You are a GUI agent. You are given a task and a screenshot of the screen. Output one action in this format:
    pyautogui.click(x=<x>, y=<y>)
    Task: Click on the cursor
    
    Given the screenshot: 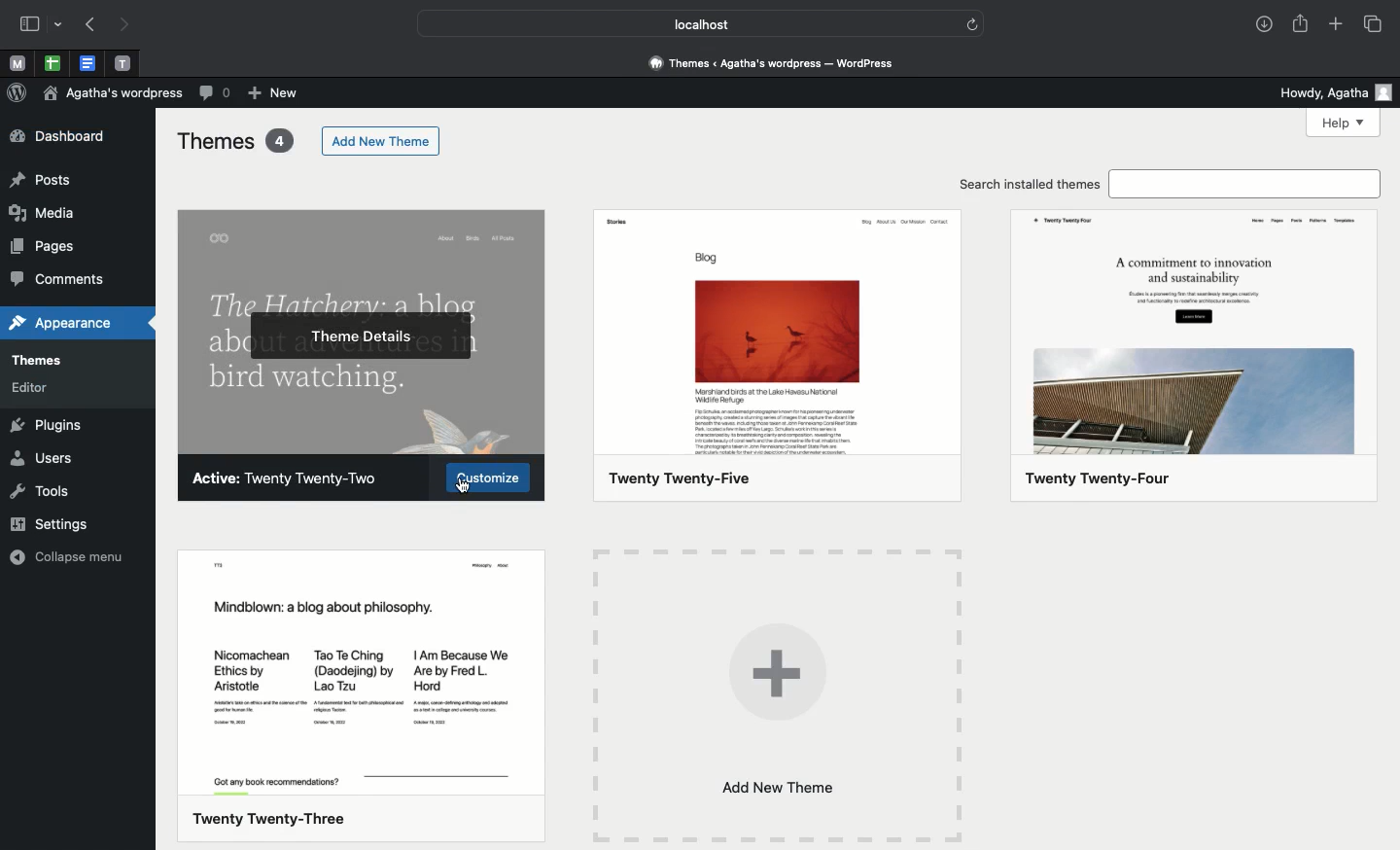 What is the action you would take?
    pyautogui.click(x=462, y=487)
    